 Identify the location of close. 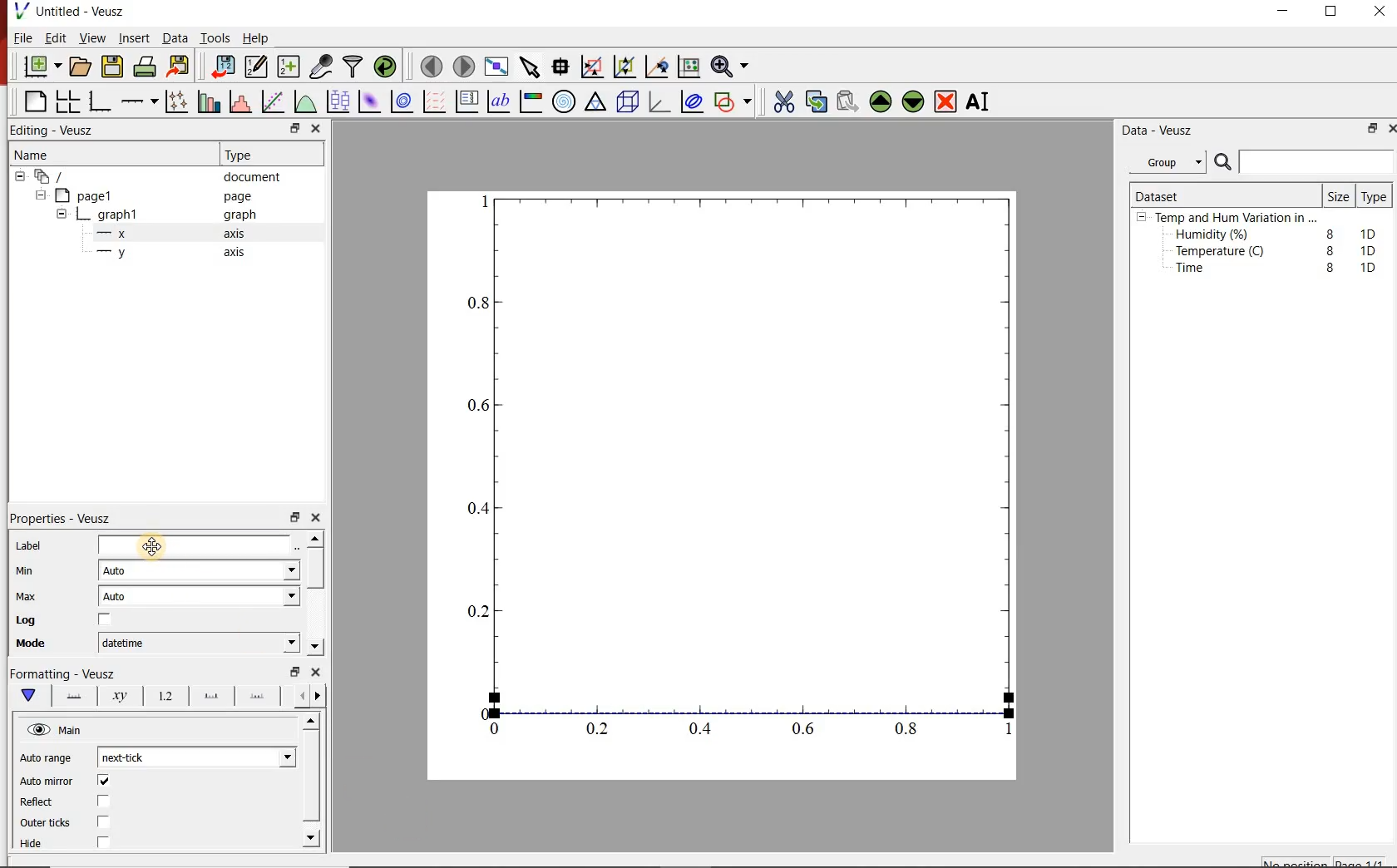
(317, 128).